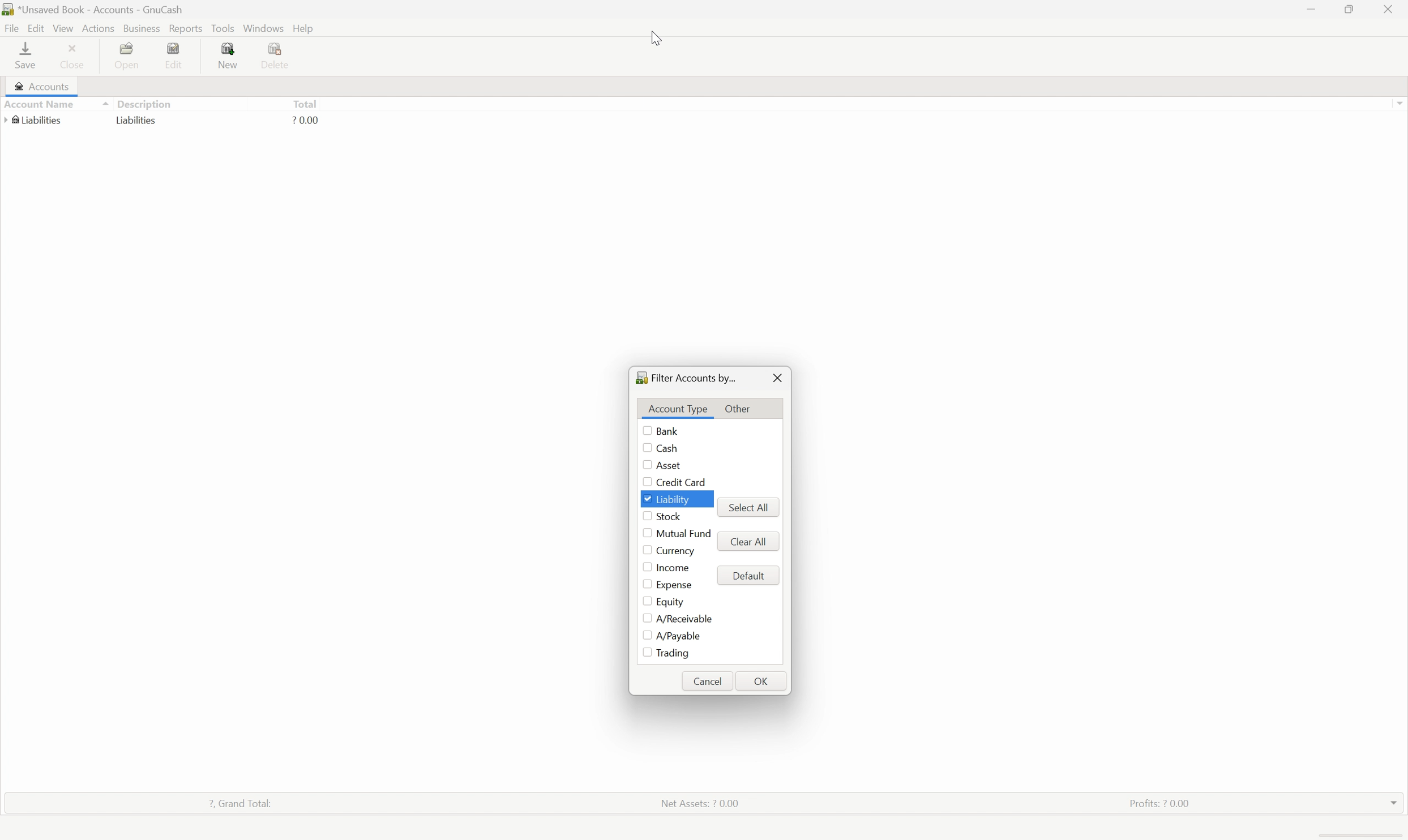 The width and height of the screenshot is (1408, 840). What do you see at coordinates (306, 121) in the screenshot?
I see `? 0.00` at bounding box center [306, 121].